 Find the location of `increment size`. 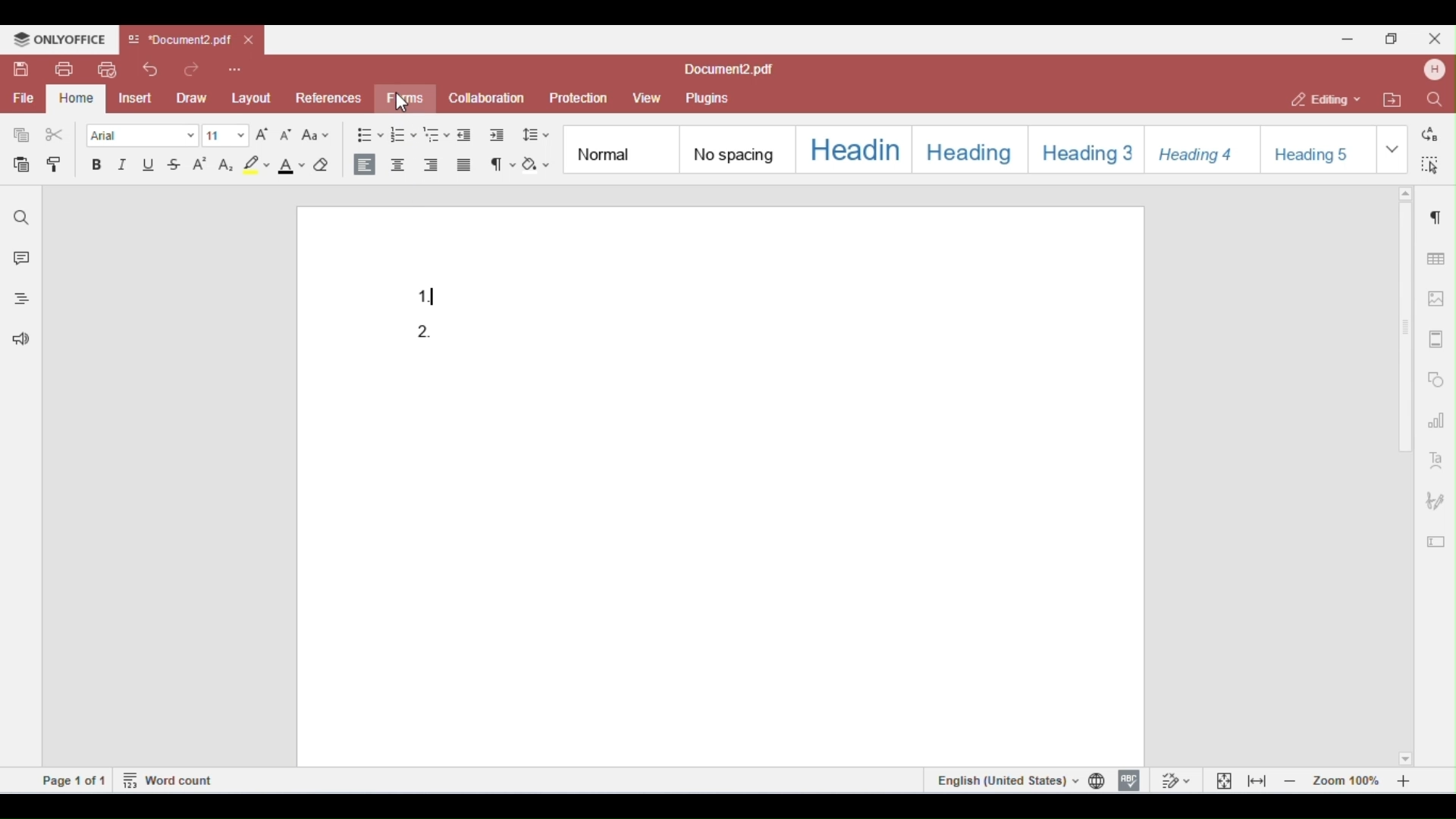

increment size is located at coordinates (264, 136).